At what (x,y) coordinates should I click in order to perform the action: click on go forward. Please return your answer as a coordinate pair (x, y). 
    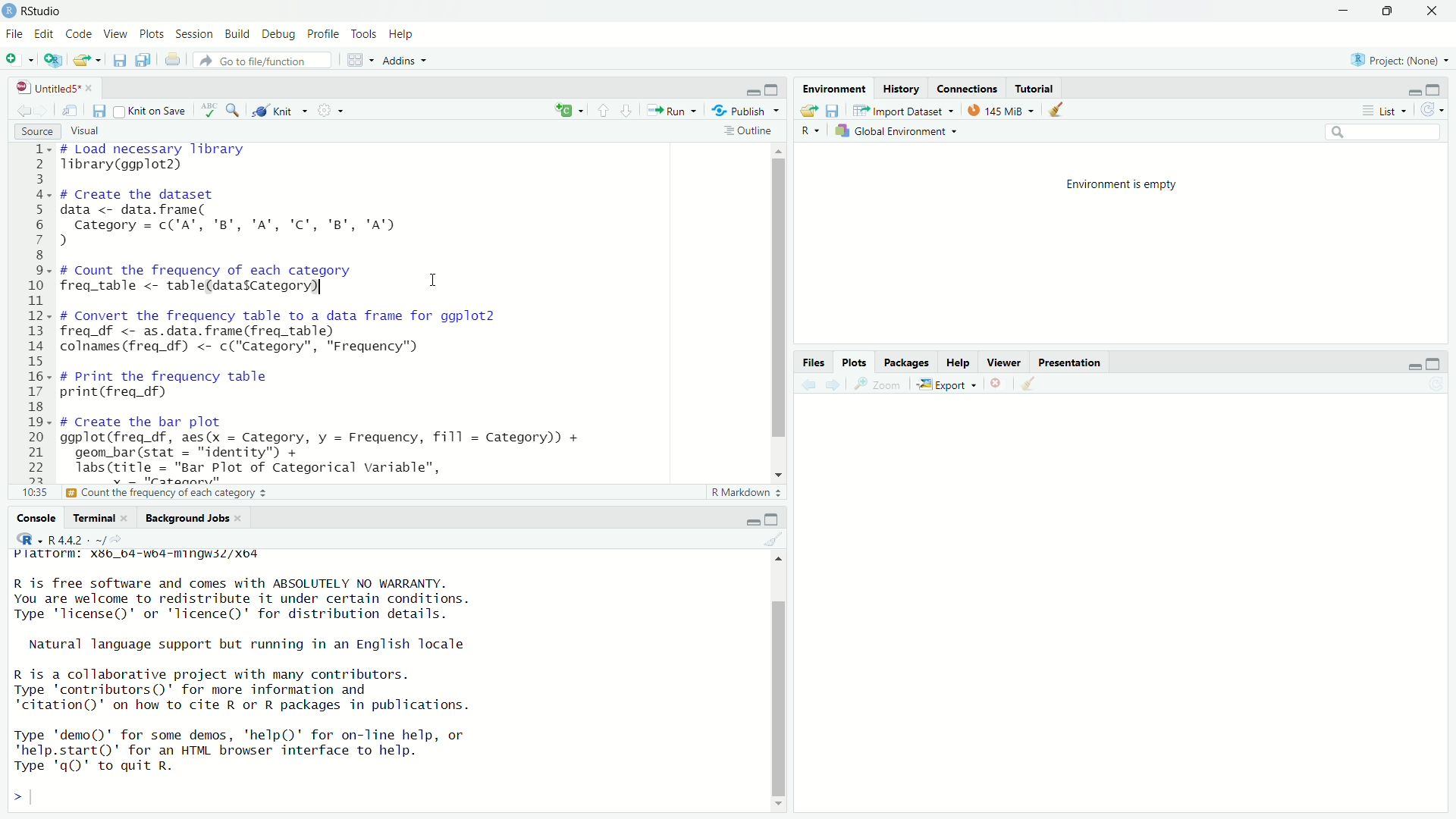
    Looking at the image, I should click on (44, 111).